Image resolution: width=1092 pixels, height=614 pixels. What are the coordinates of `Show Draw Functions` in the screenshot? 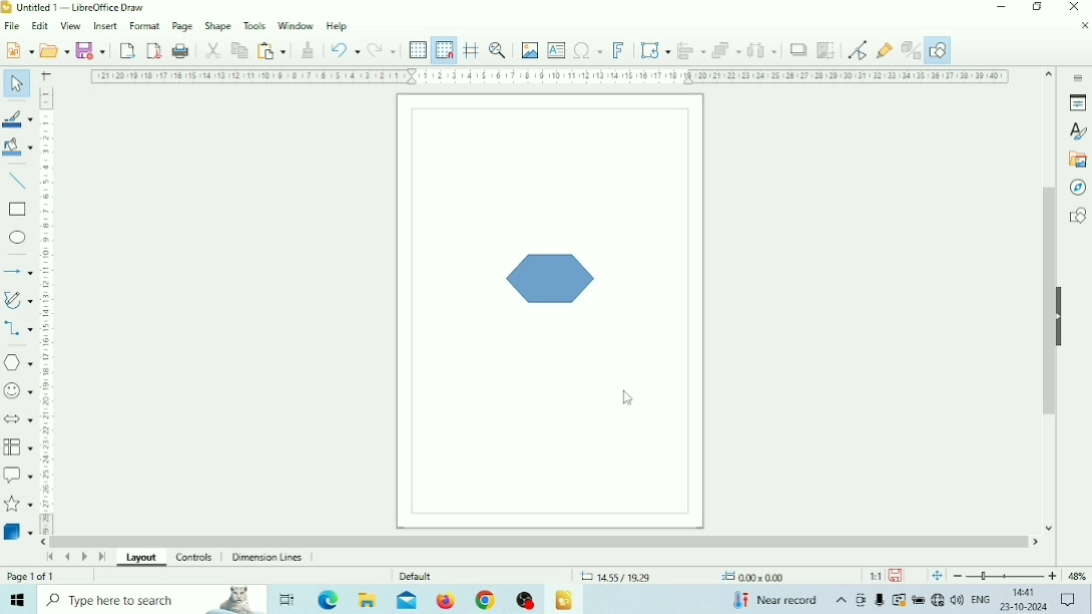 It's located at (938, 50).